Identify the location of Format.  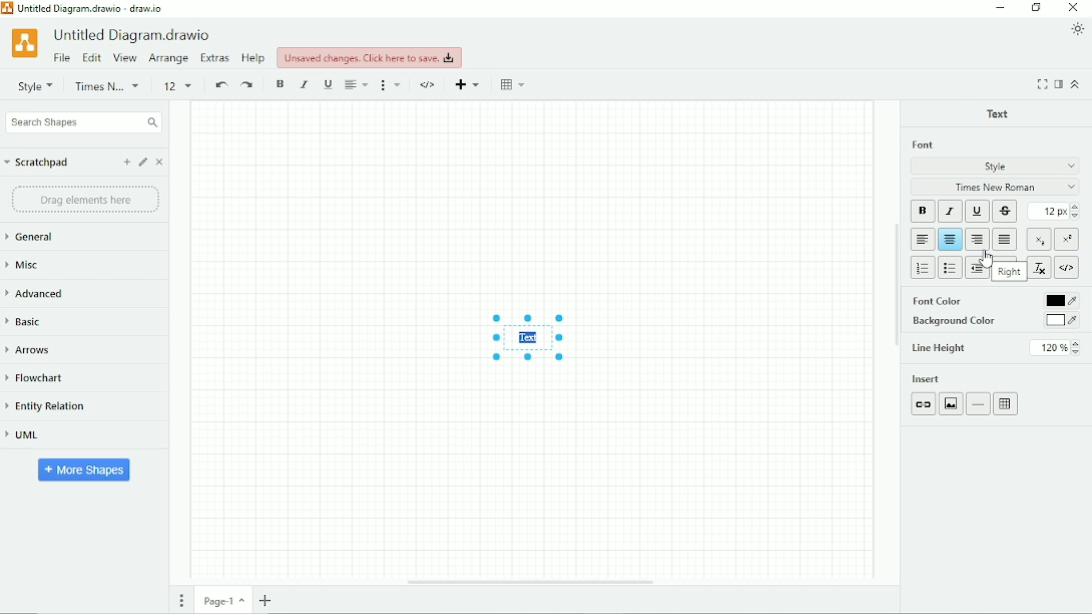
(392, 85).